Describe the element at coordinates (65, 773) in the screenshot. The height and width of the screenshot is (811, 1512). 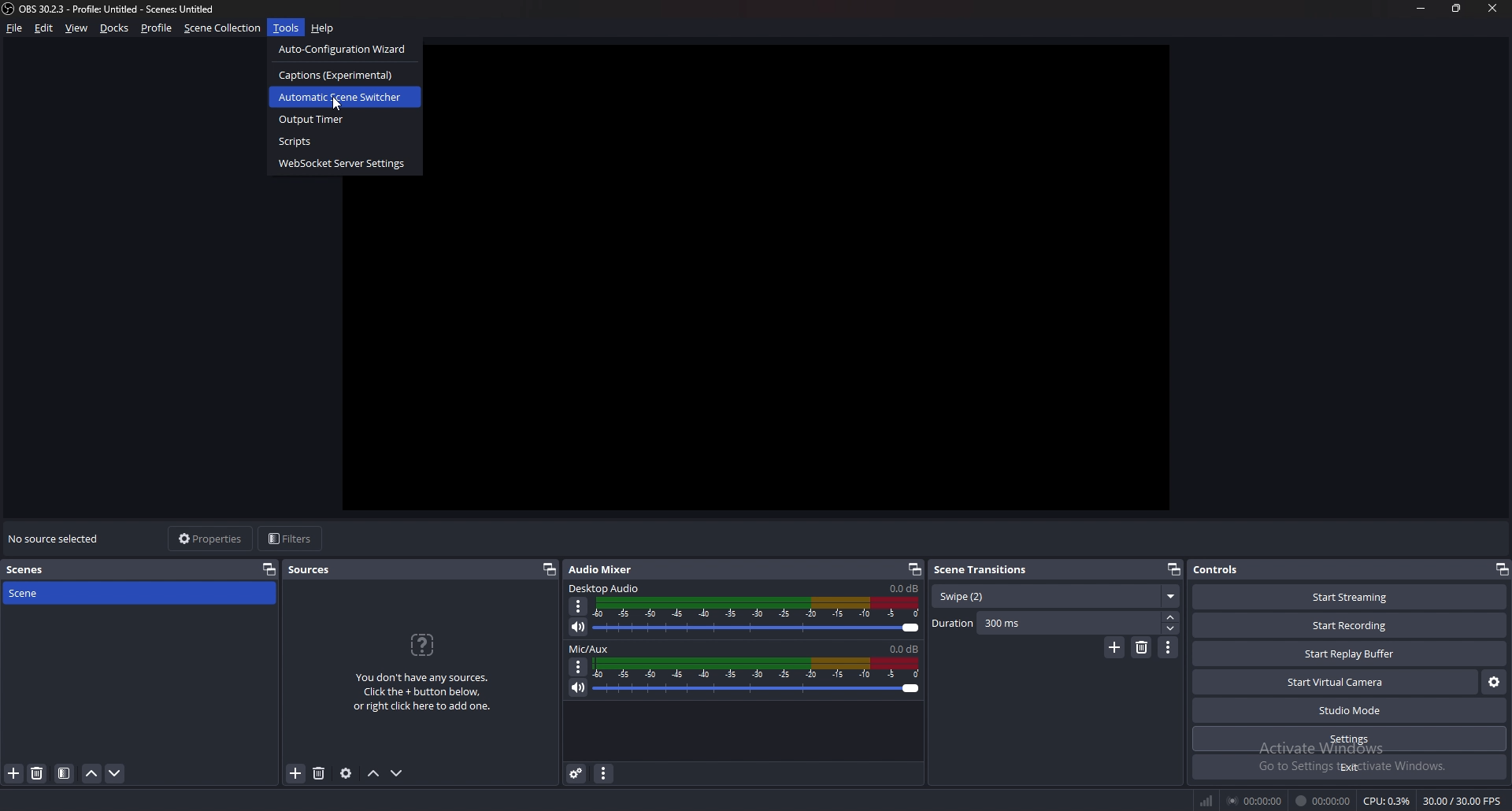
I see `filter` at that location.